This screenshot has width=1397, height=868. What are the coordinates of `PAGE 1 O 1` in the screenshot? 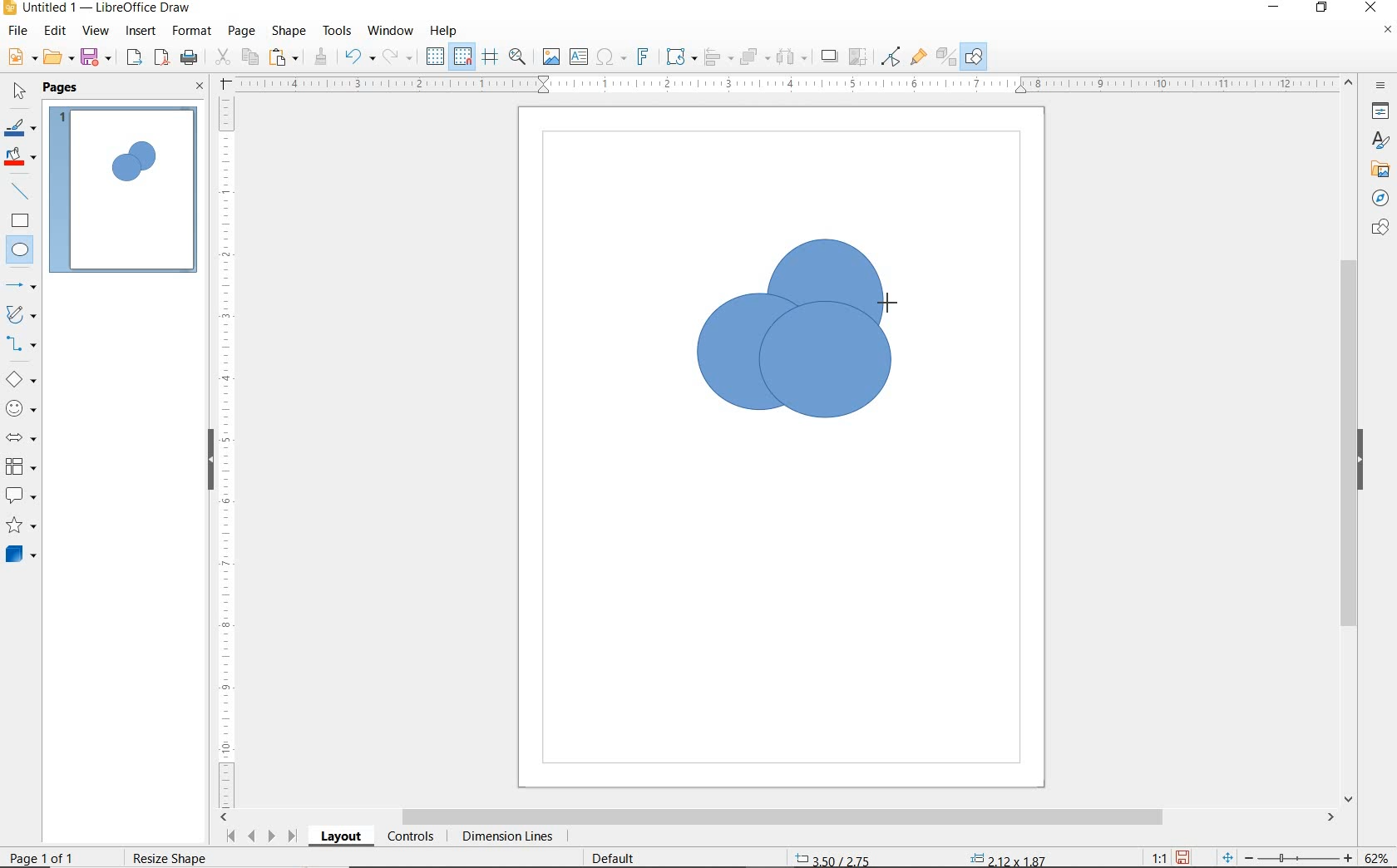 It's located at (54, 851).